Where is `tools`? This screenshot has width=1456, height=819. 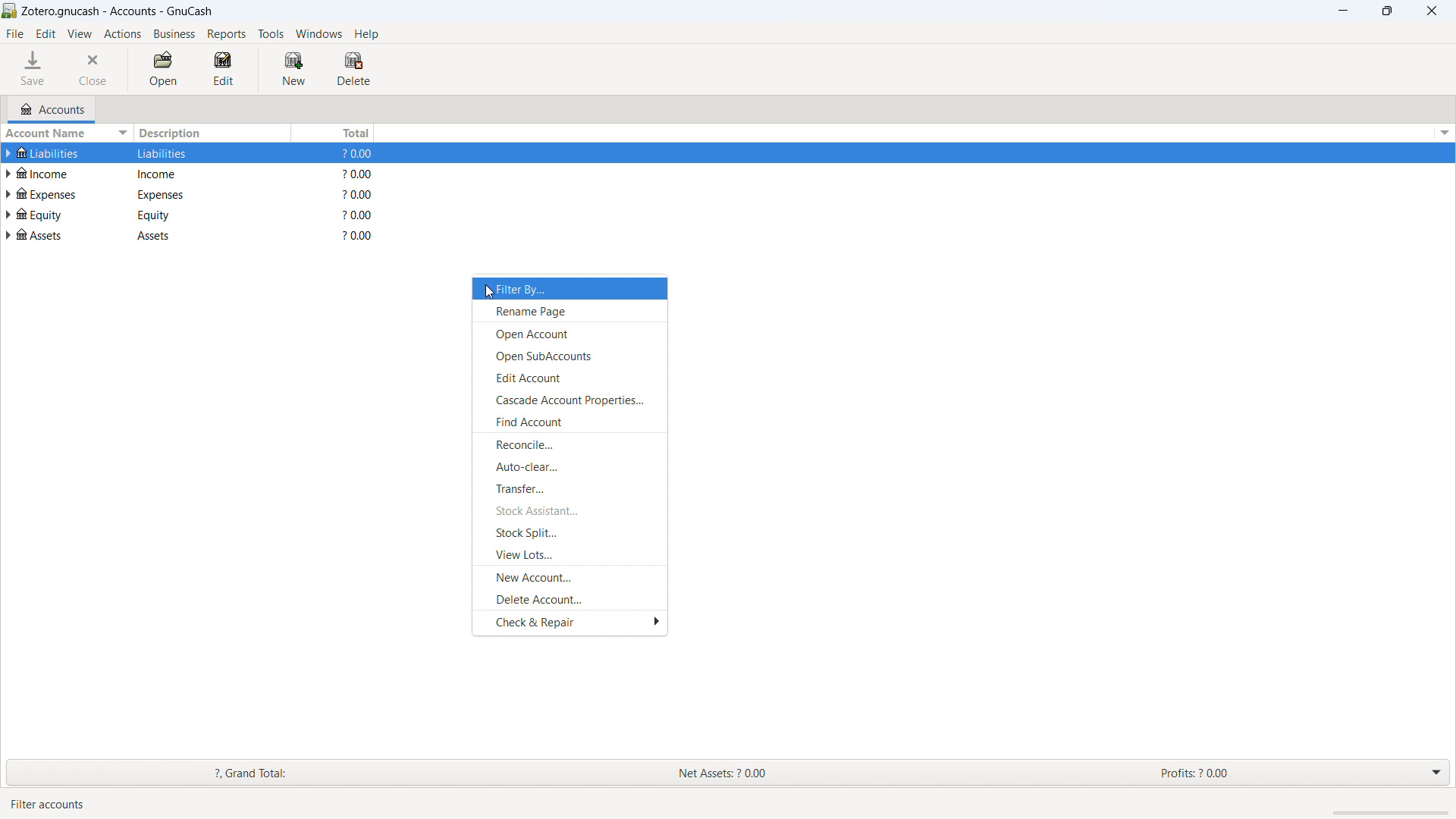 tools is located at coordinates (271, 34).